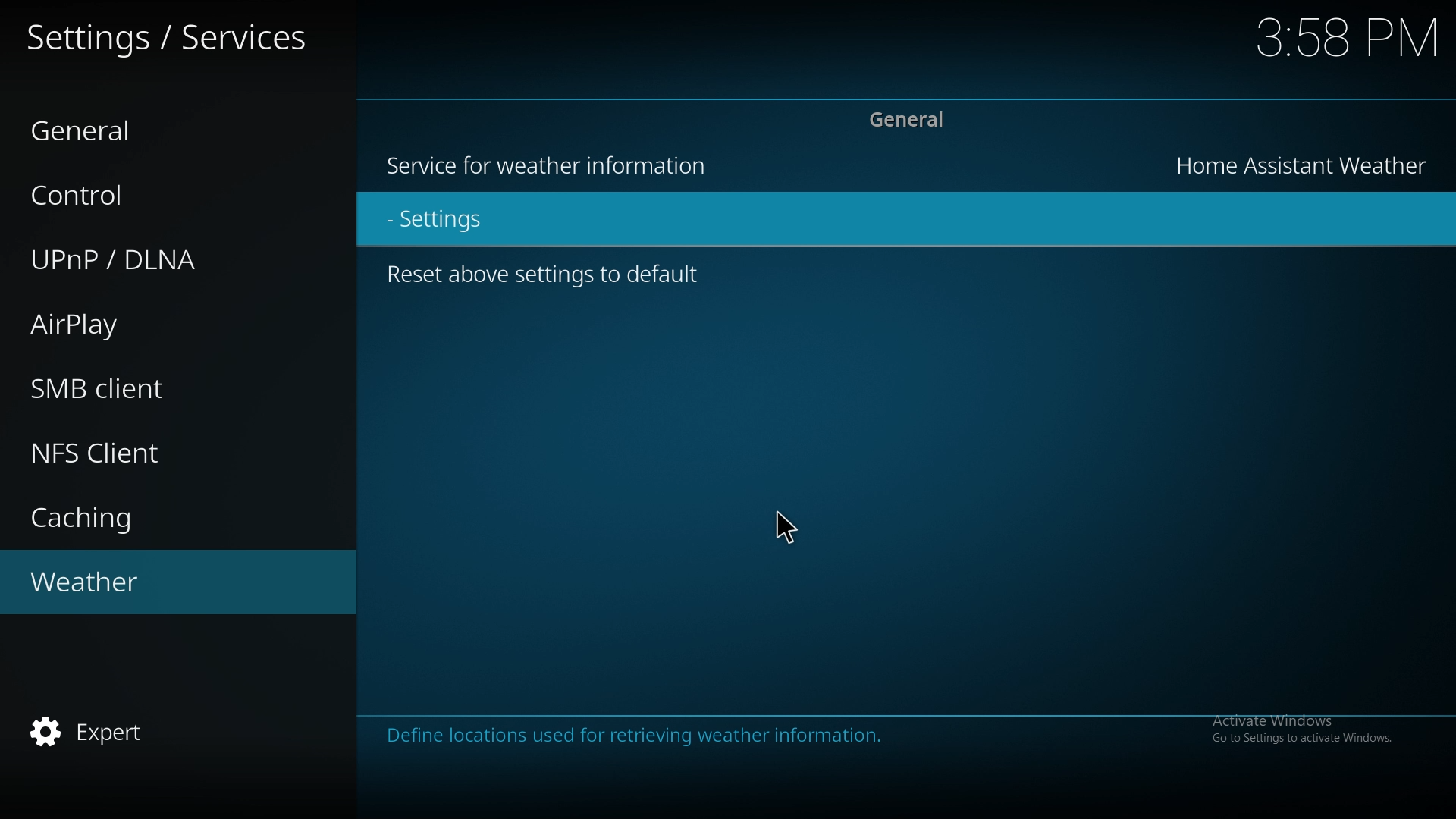 The height and width of the screenshot is (819, 1456). I want to click on General, so click(134, 124).